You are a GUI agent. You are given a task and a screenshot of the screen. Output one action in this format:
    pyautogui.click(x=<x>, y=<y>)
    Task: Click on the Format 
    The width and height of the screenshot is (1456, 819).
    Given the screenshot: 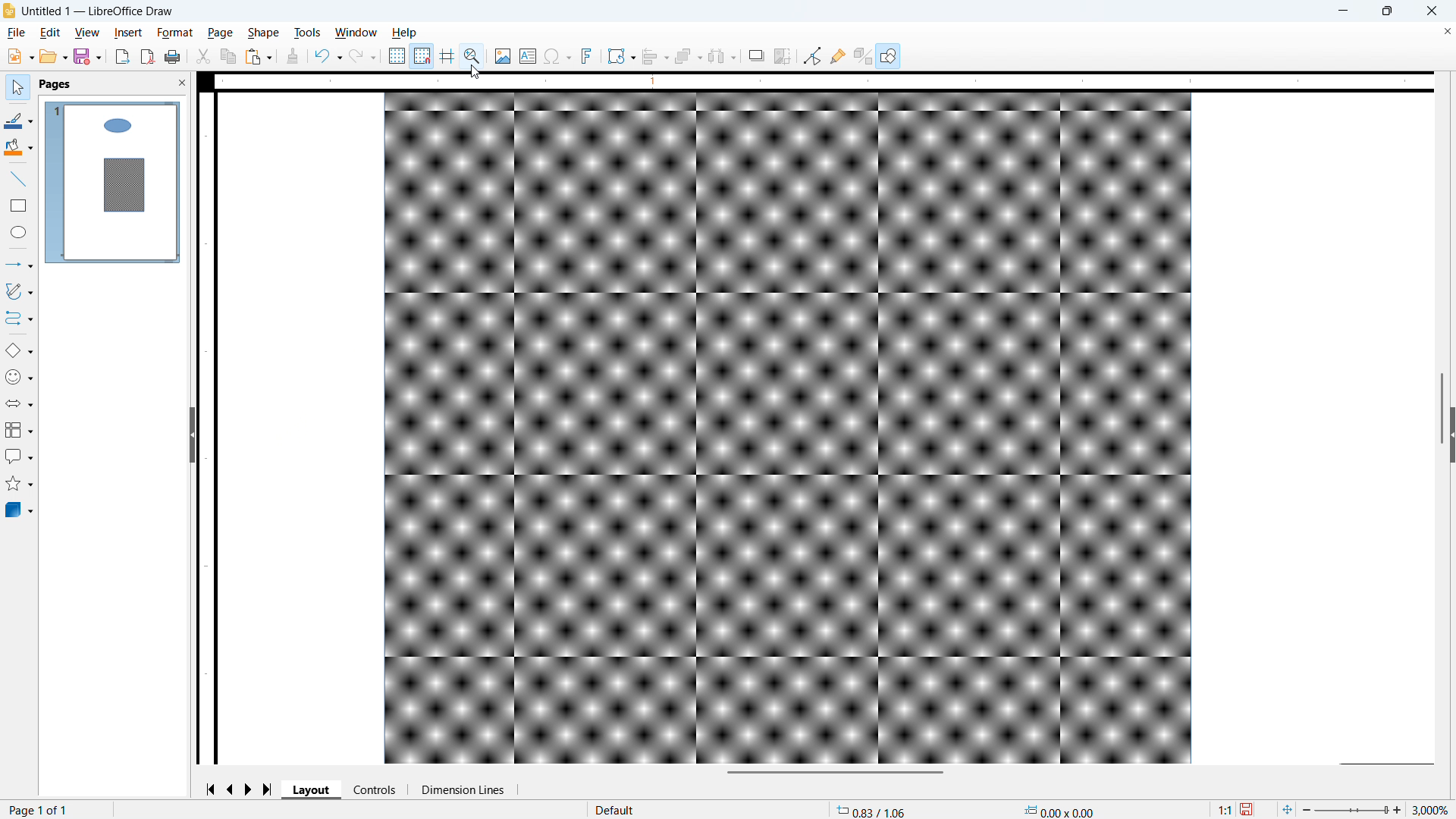 What is the action you would take?
    pyautogui.click(x=176, y=33)
    